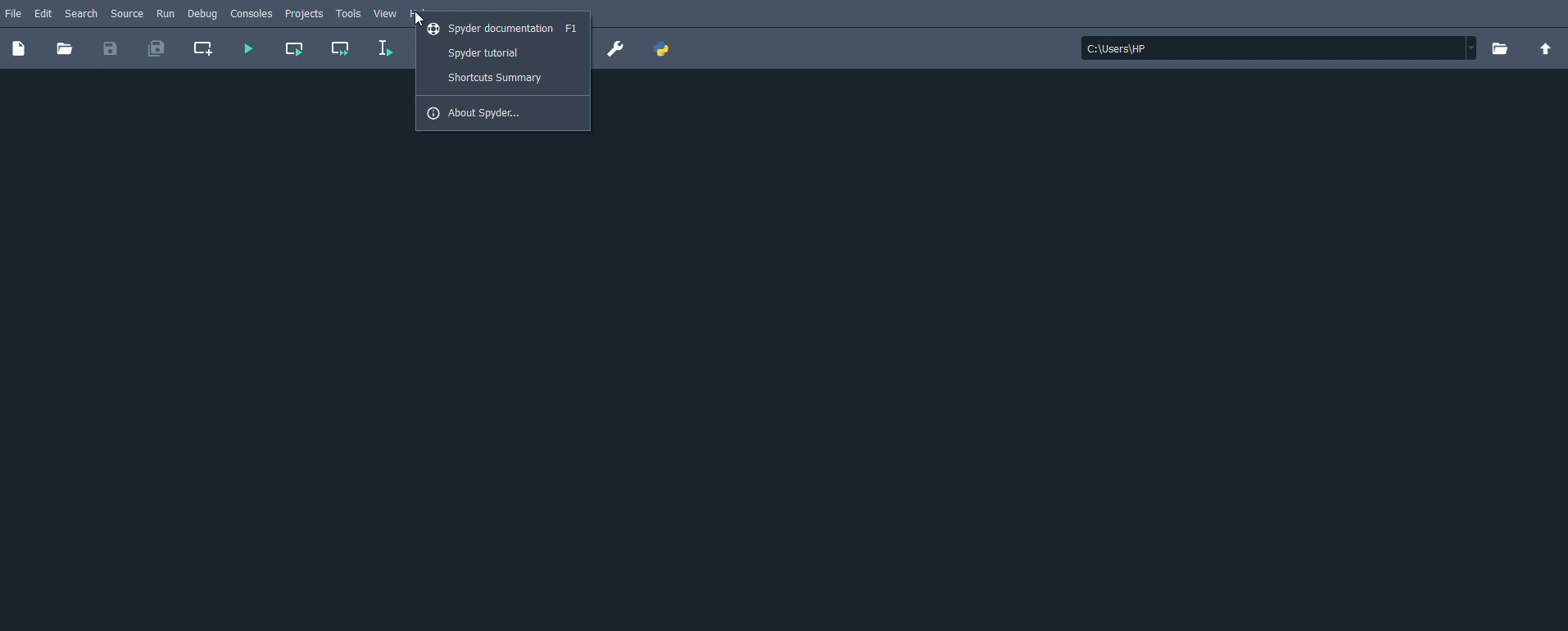  Describe the element at coordinates (293, 49) in the screenshot. I see `Run current cell` at that location.